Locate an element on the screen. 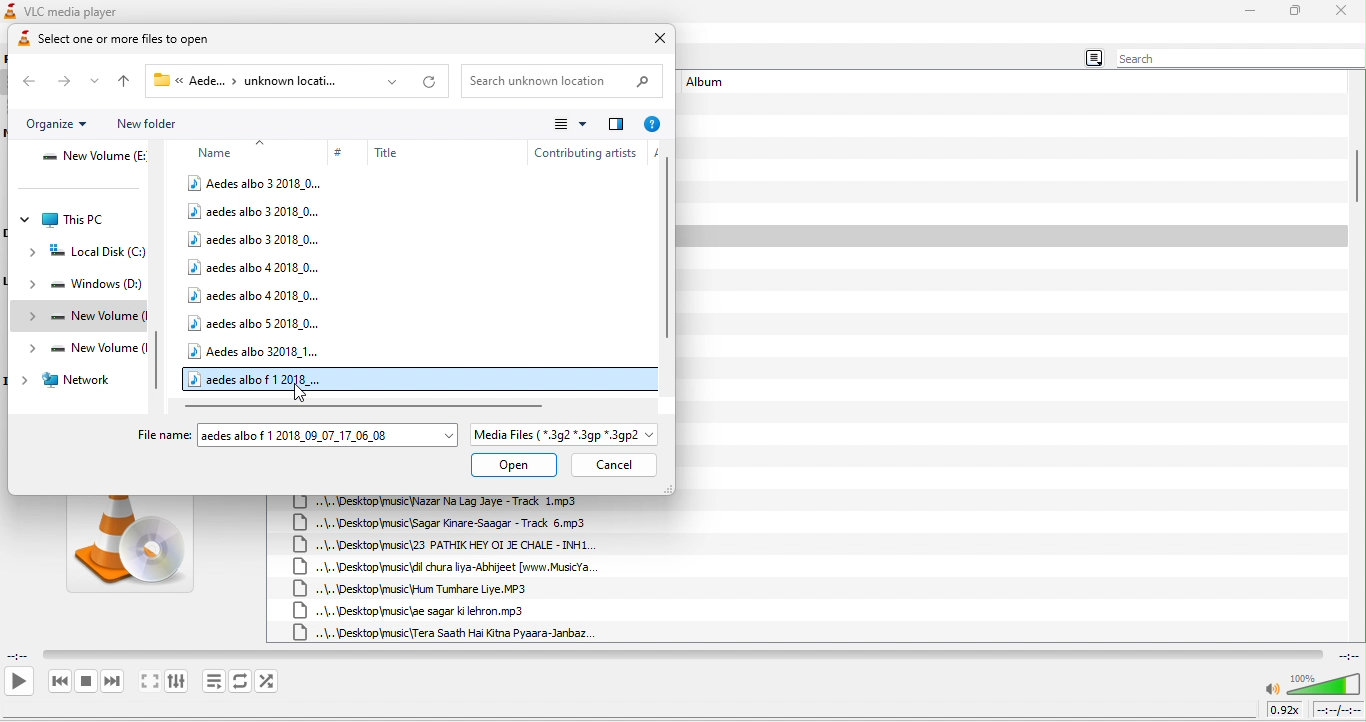  File name: is located at coordinates (164, 434).